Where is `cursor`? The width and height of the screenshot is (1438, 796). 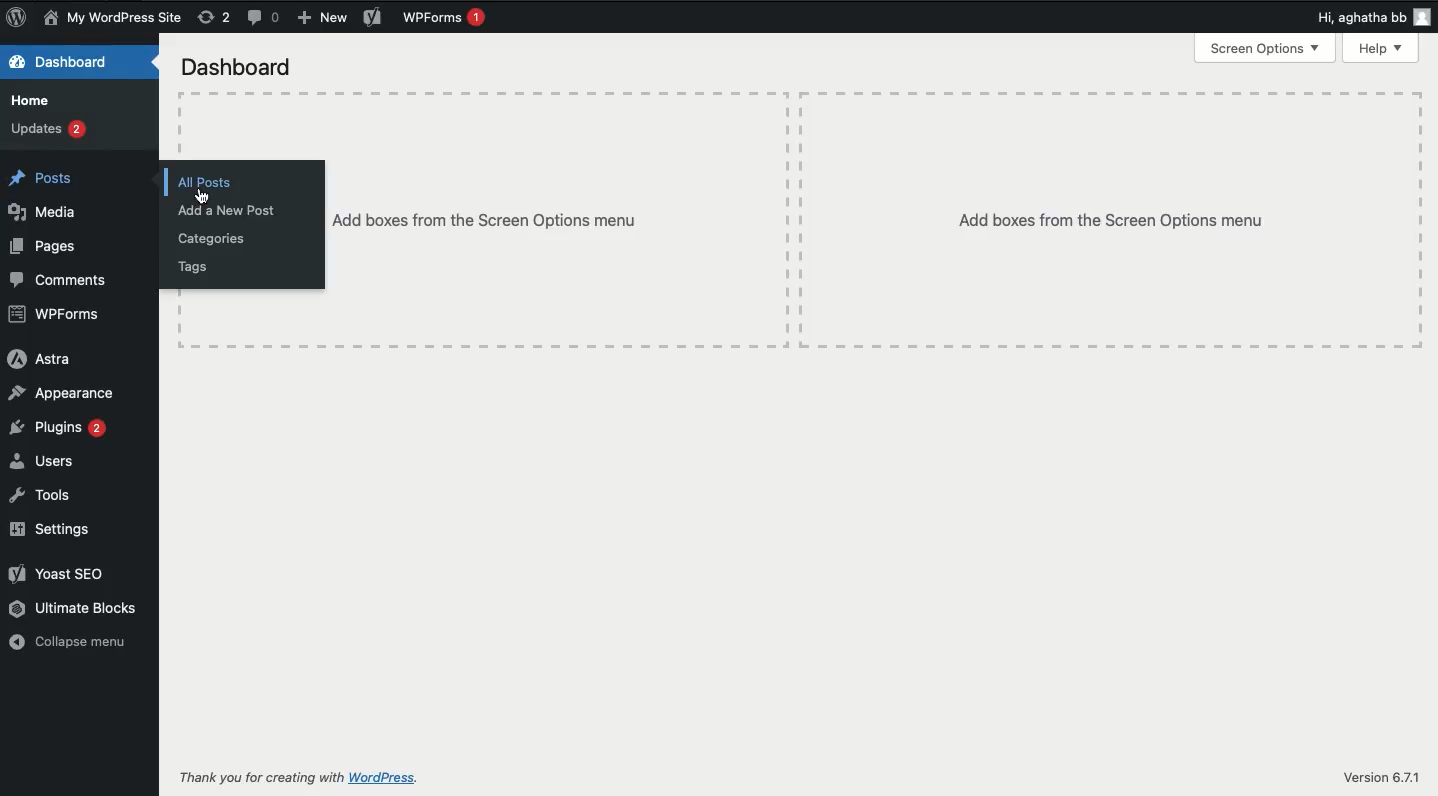
cursor is located at coordinates (201, 197).